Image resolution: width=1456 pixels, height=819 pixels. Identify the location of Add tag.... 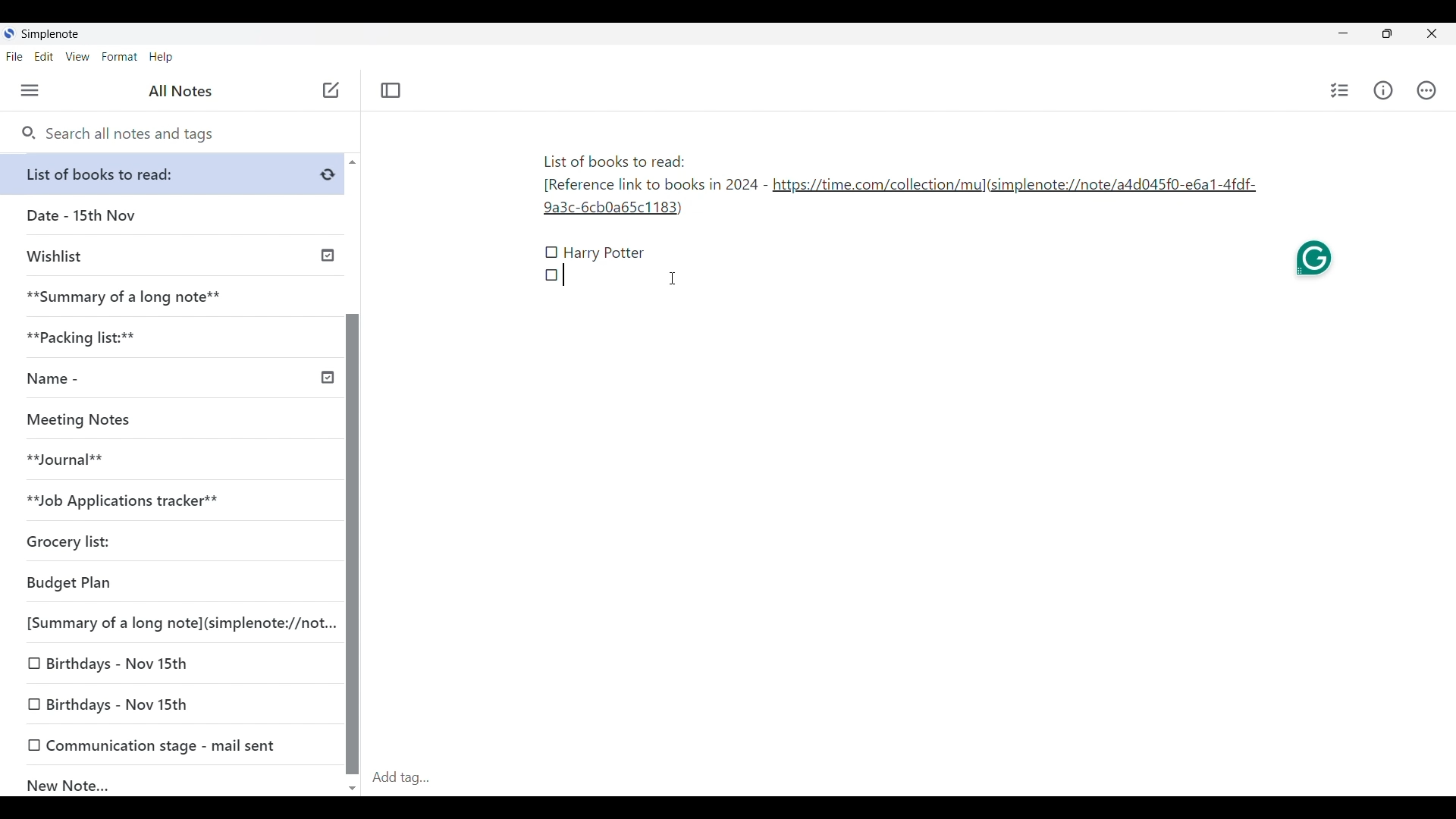
(410, 777).